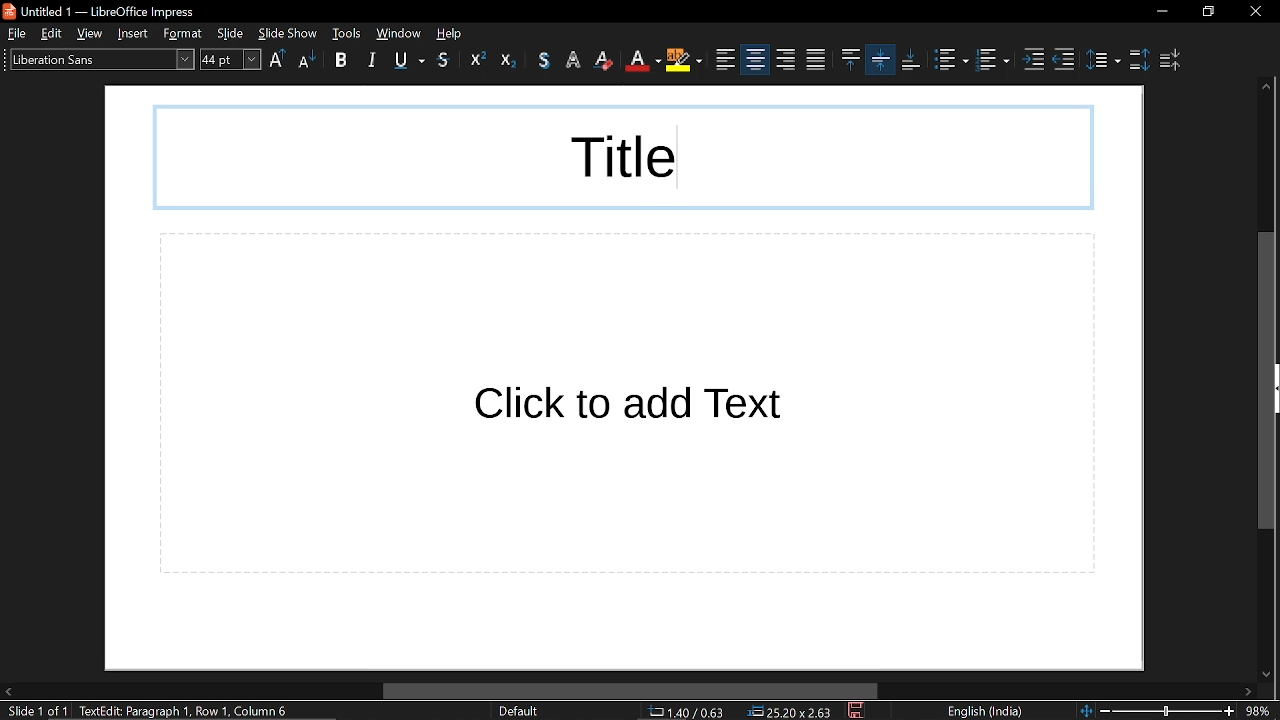 The height and width of the screenshot is (720, 1280). Describe the element at coordinates (911, 60) in the screenshot. I see `align bottom` at that location.